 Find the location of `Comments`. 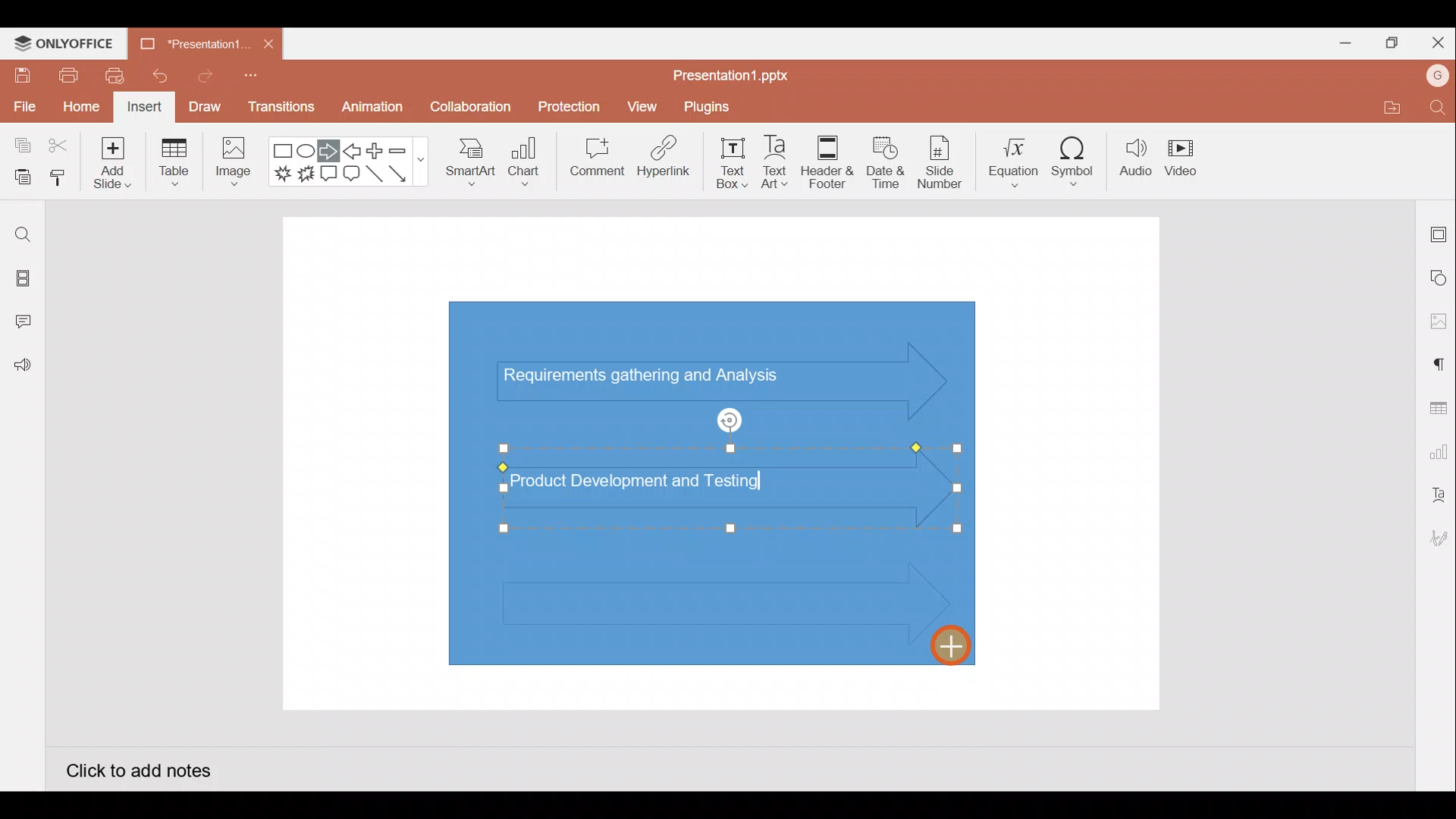

Comments is located at coordinates (27, 323).